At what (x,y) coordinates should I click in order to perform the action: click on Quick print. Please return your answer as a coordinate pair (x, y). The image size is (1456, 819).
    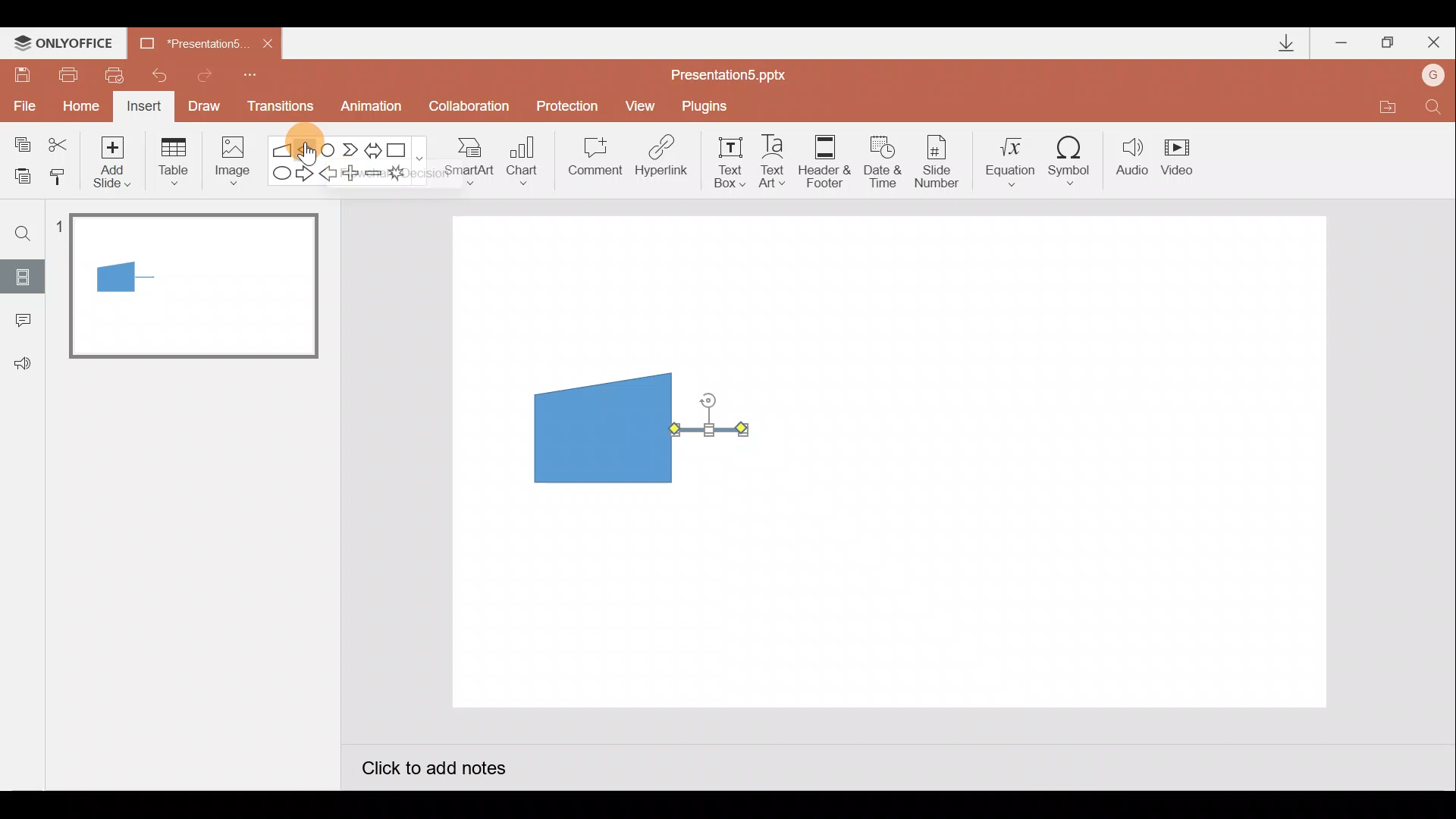
    Looking at the image, I should click on (120, 71).